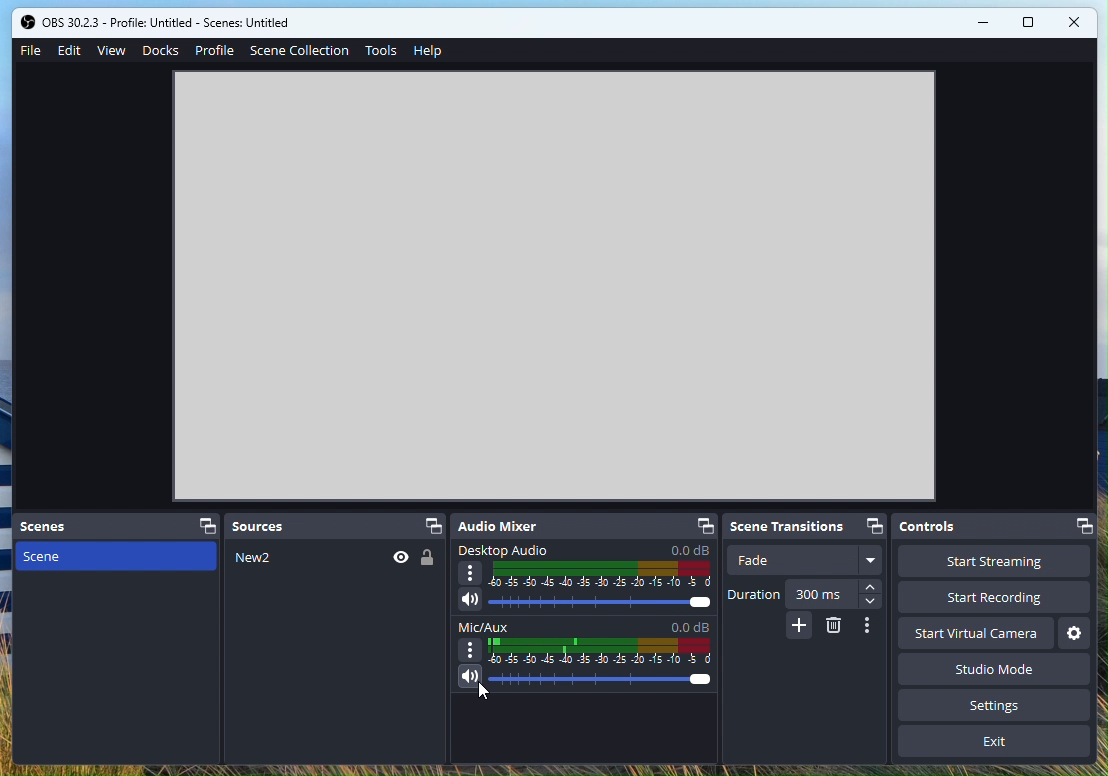 This screenshot has width=1108, height=776. Describe the element at coordinates (118, 651) in the screenshot. I see `Scene` at that location.